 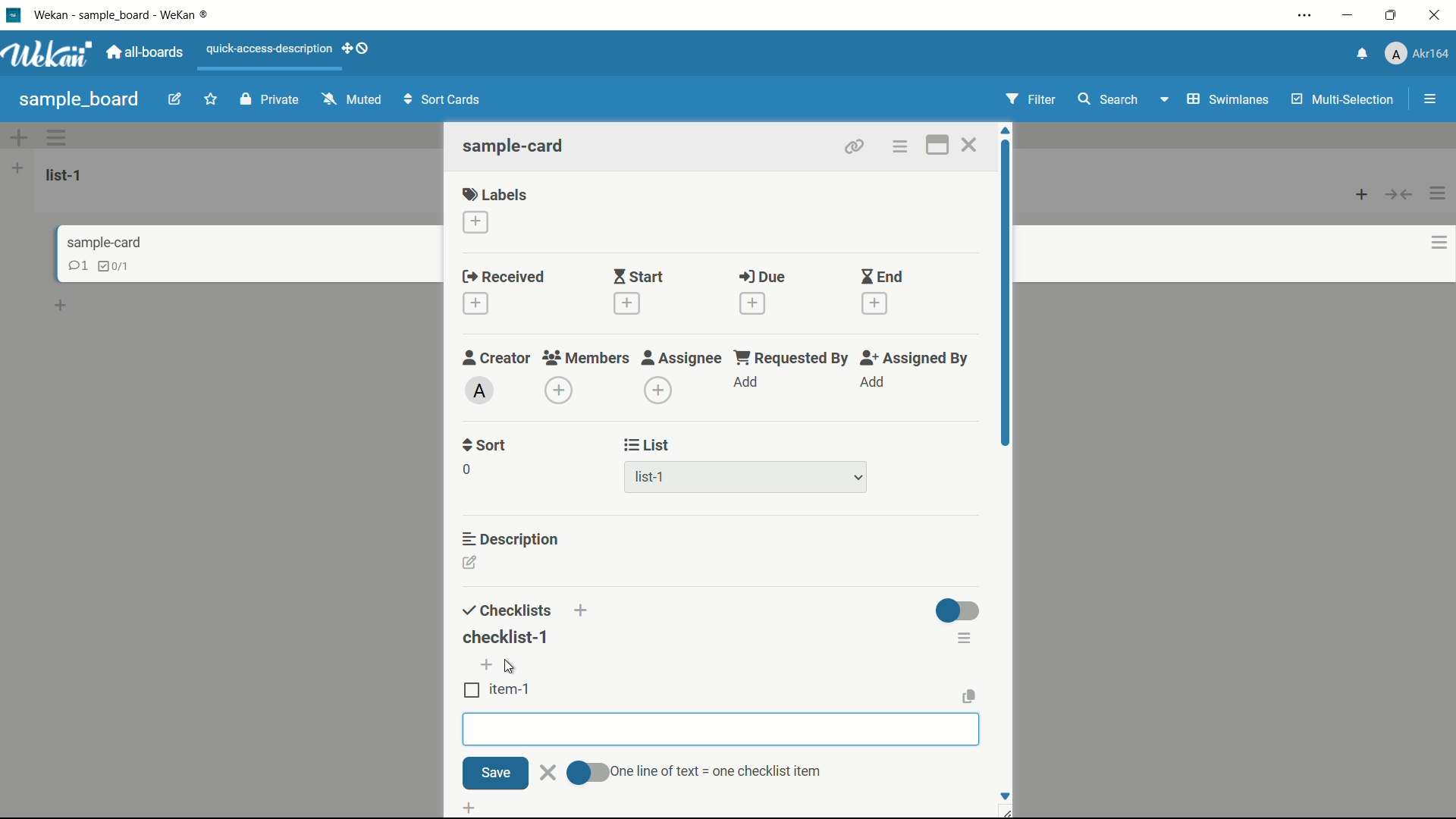 What do you see at coordinates (439, 99) in the screenshot?
I see `Sort Cards` at bounding box center [439, 99].